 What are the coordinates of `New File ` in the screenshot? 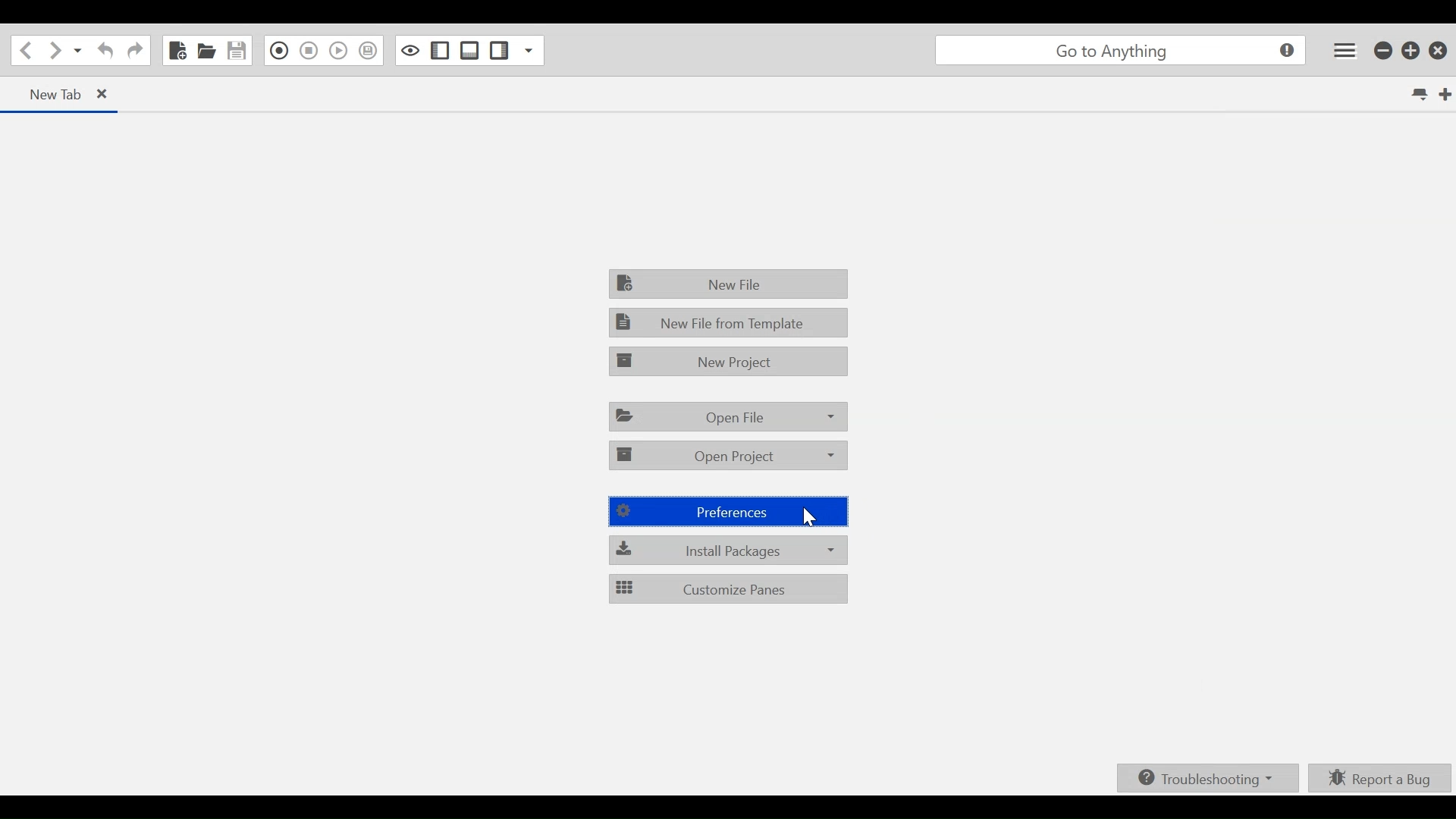 It's located at (176, 50).